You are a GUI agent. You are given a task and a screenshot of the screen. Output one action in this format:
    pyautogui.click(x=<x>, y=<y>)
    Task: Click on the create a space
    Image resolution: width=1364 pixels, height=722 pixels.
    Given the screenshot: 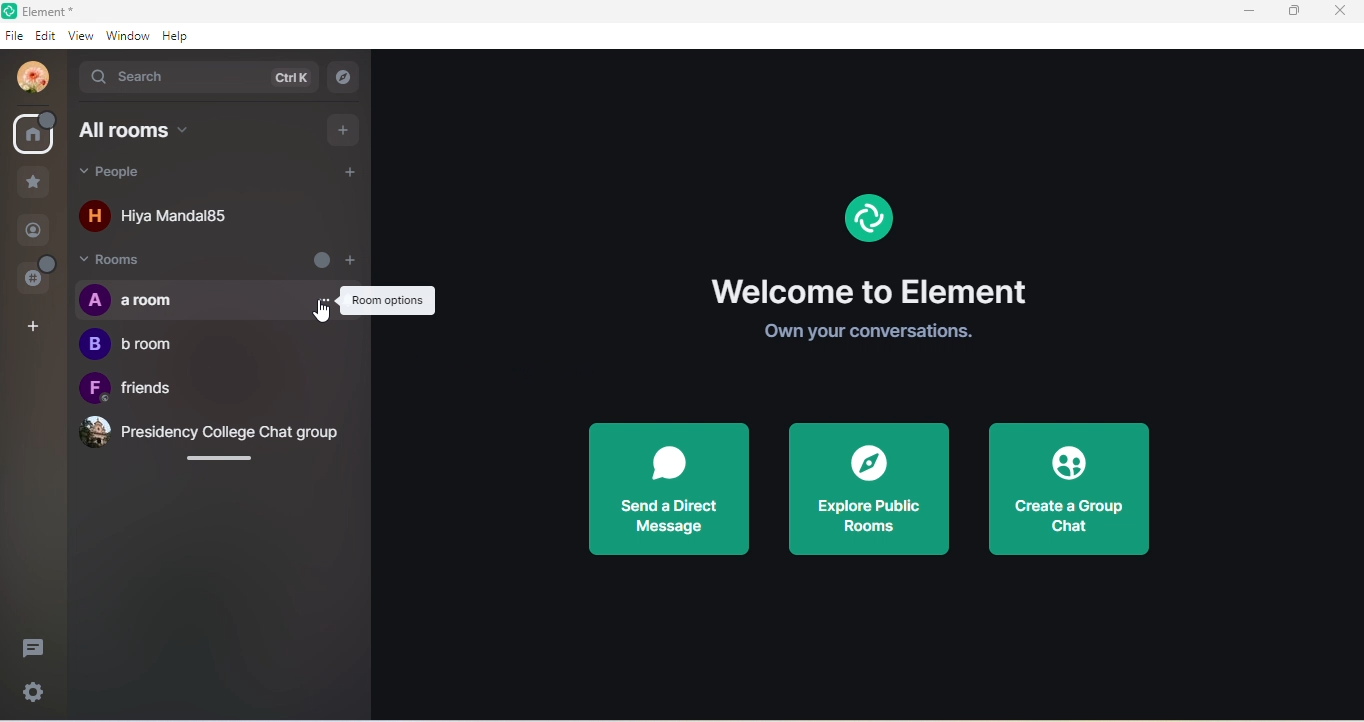 What is the action you would take?
    pyautogui.click(x=35, y=327)
    